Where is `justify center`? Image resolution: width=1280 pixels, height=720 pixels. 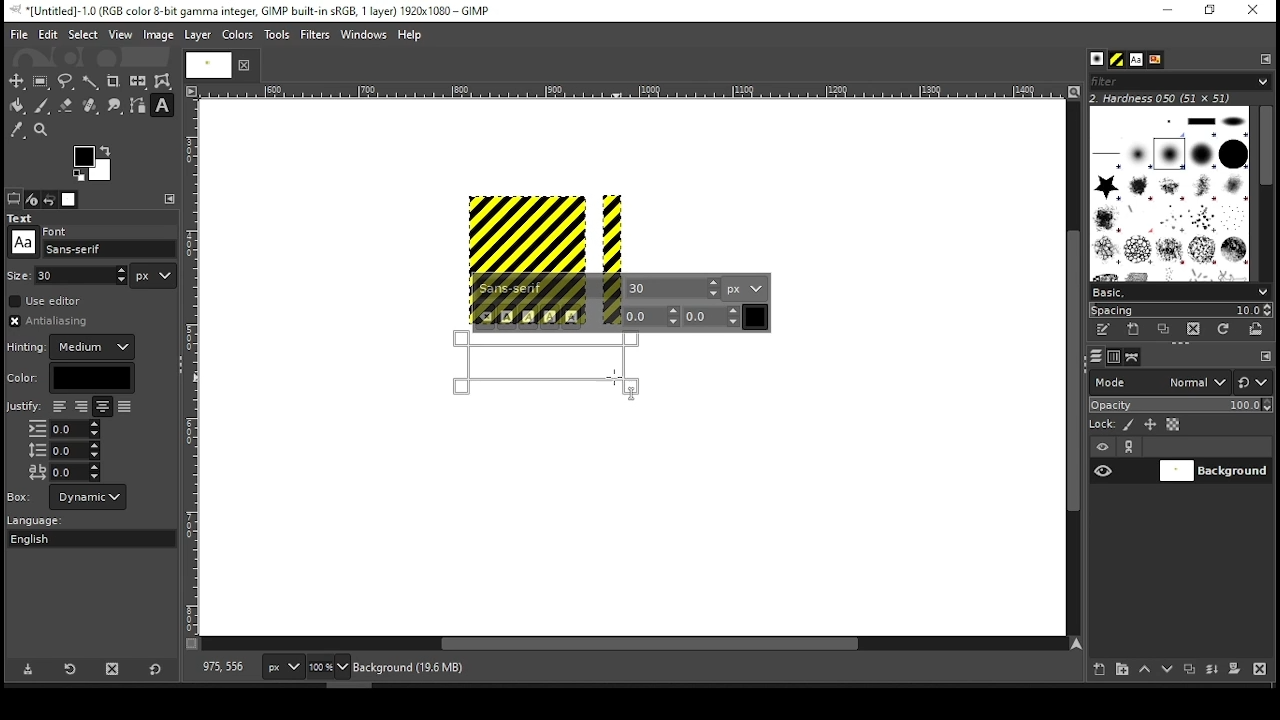 justify center is located at coordinates (102, 407).